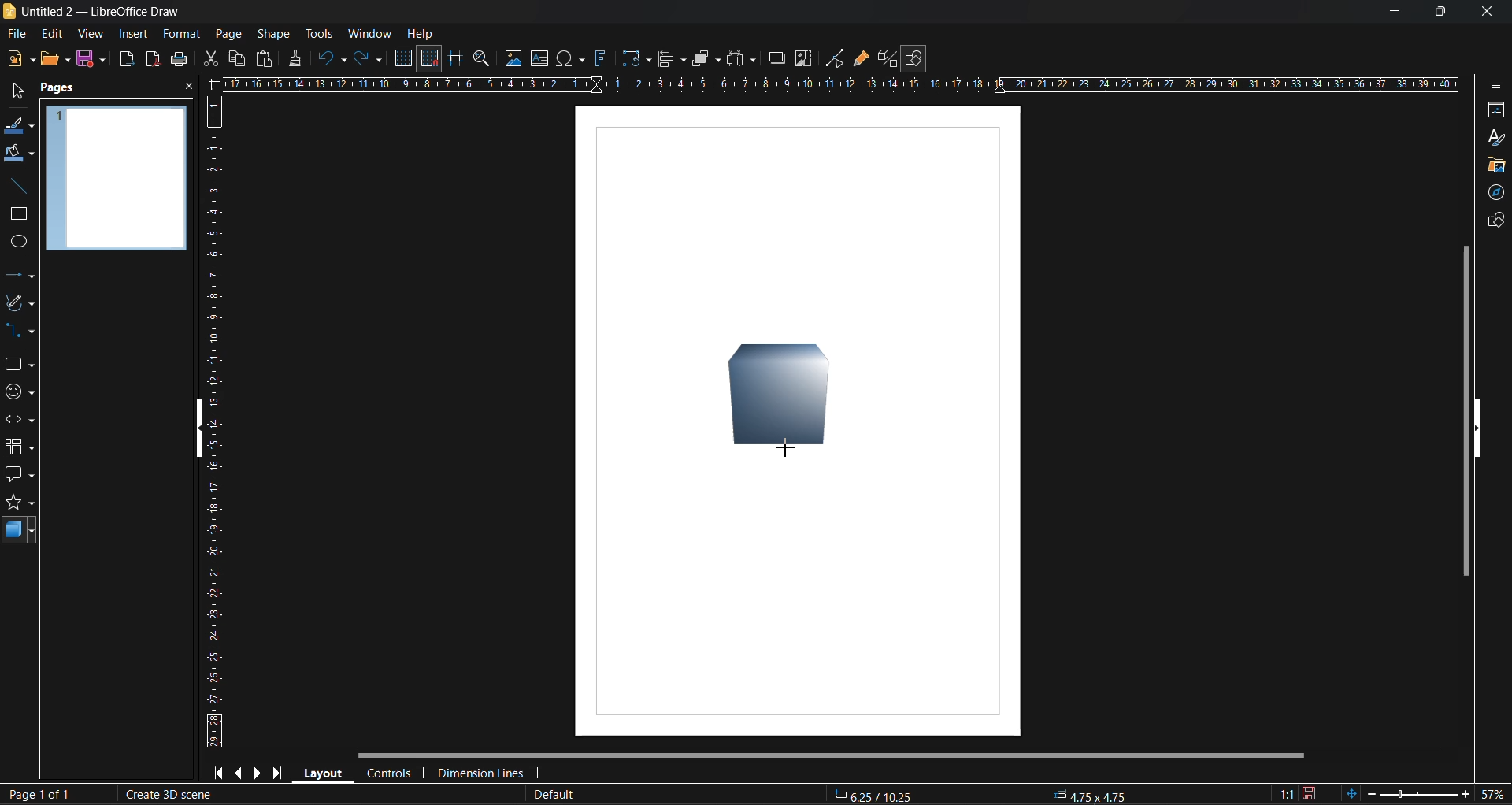  I want to click on new, so click(21, 60).